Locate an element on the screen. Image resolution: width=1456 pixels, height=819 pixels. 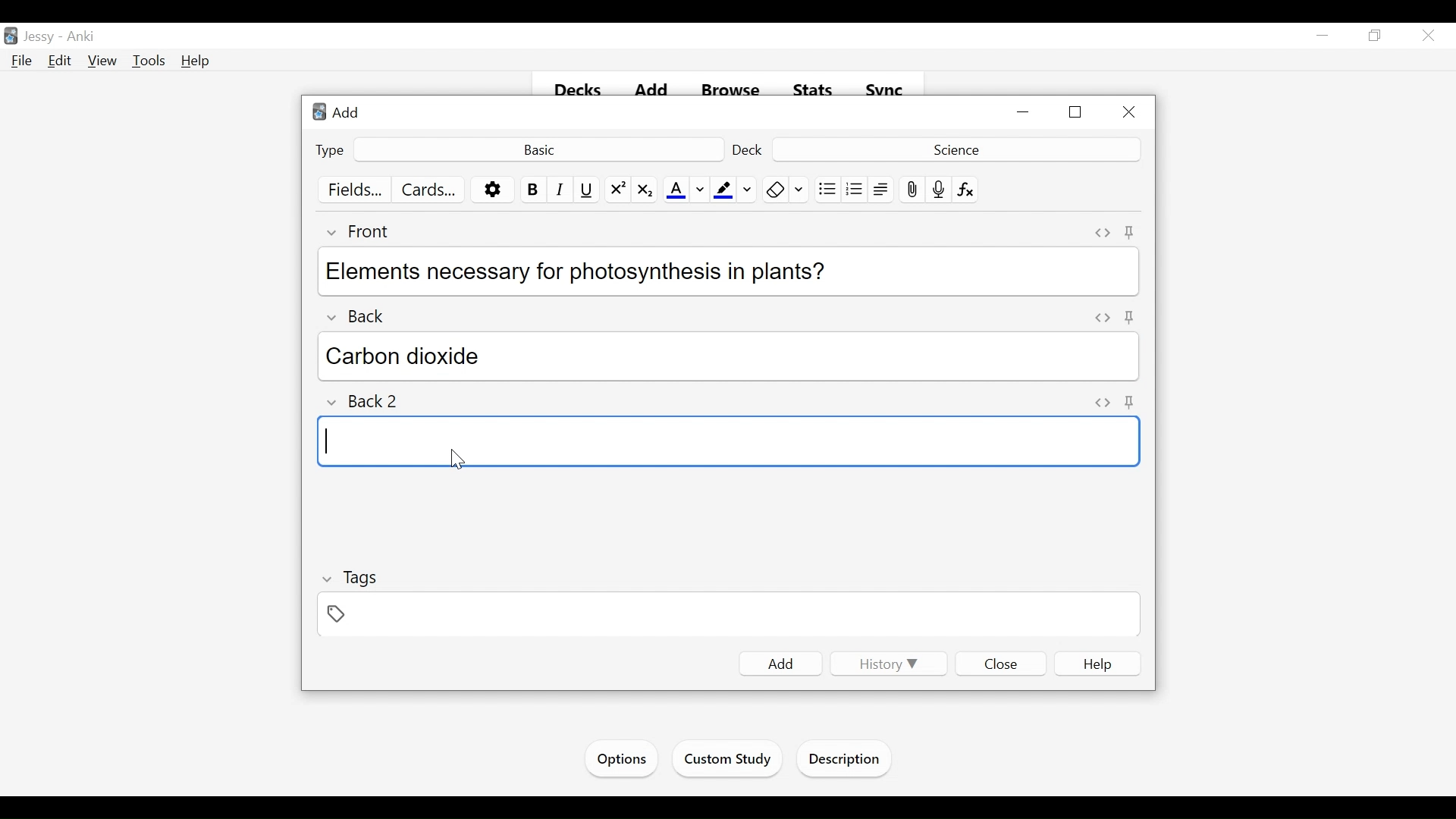
View is located at coordinates (103, 61).